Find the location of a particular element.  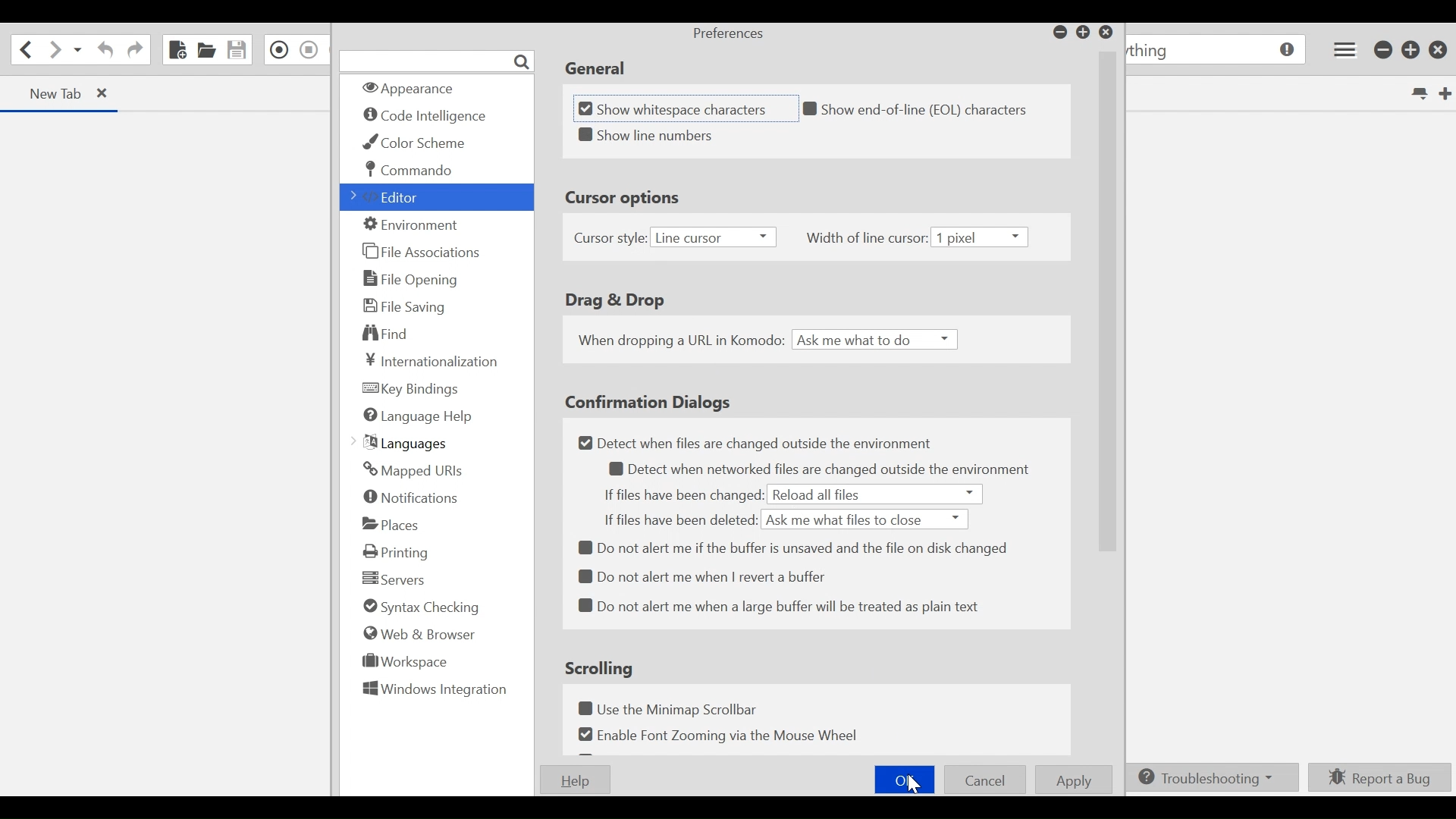

 Line cursor is located at coordinates (714, 237).